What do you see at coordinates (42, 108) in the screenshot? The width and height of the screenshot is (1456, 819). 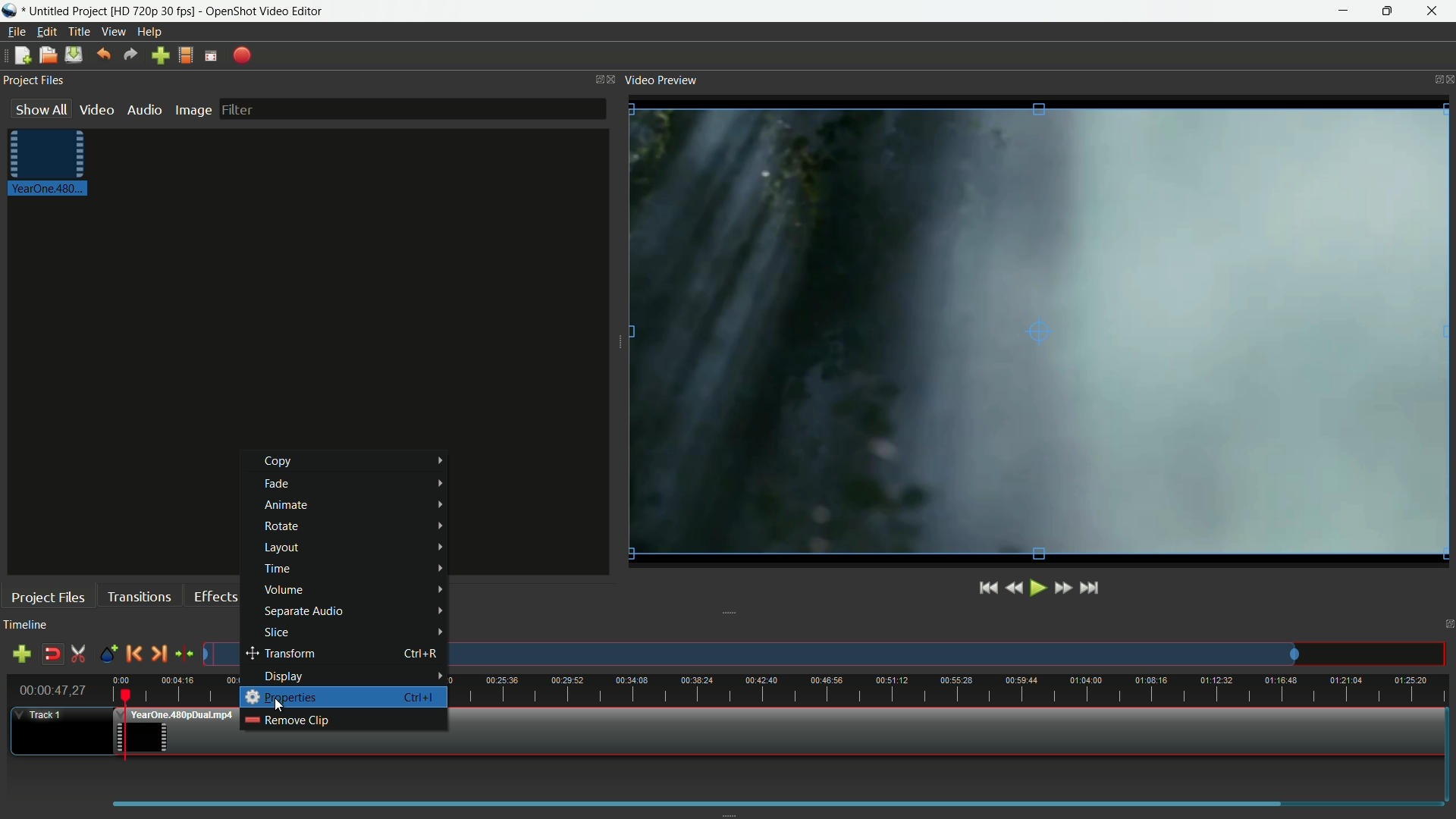 I see `show all` at bounding box center [42, 108].